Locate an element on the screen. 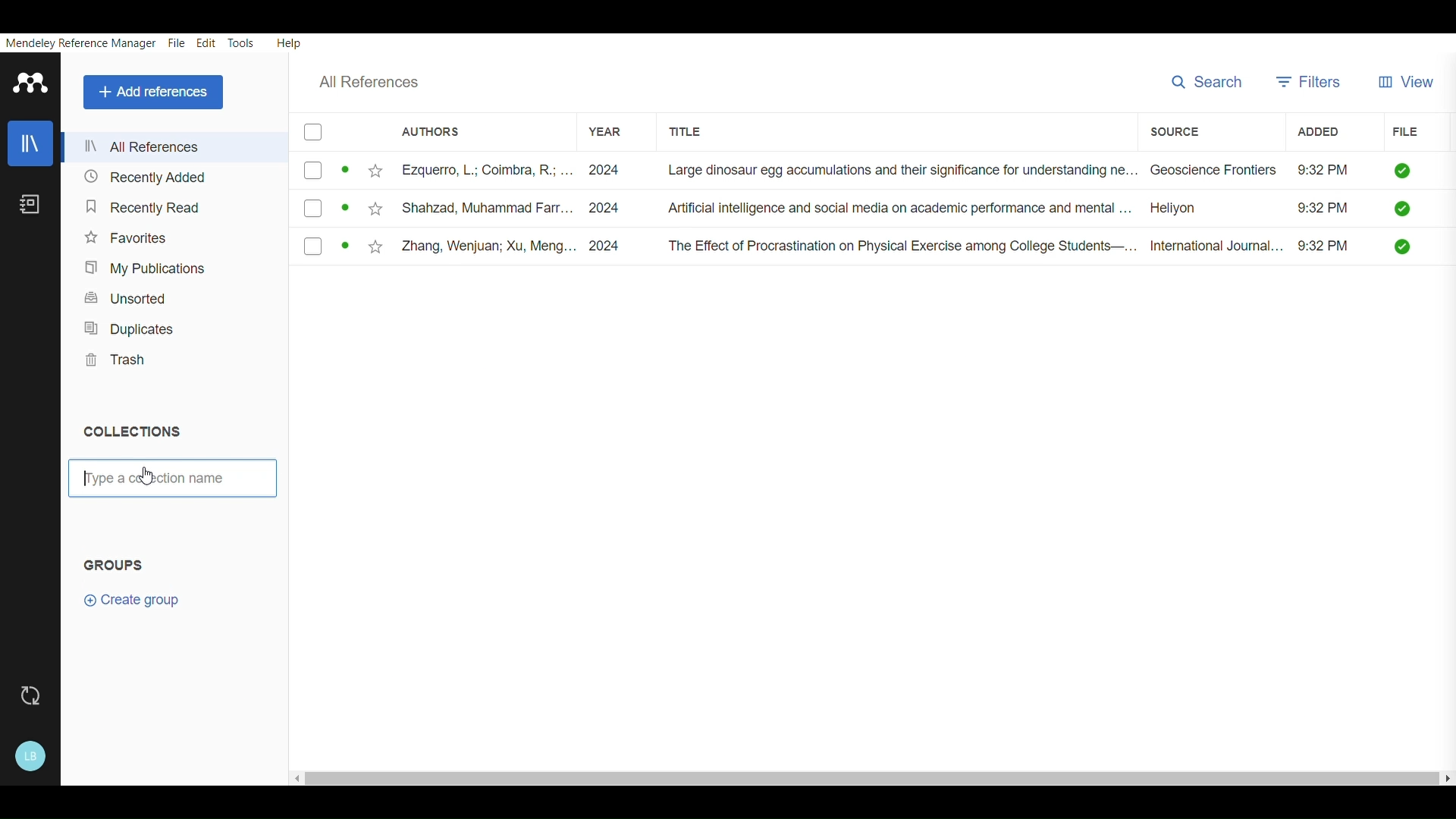 The height and width of the screenshot is (819, 1456). Unsorted is located at coordinates (132, 298).